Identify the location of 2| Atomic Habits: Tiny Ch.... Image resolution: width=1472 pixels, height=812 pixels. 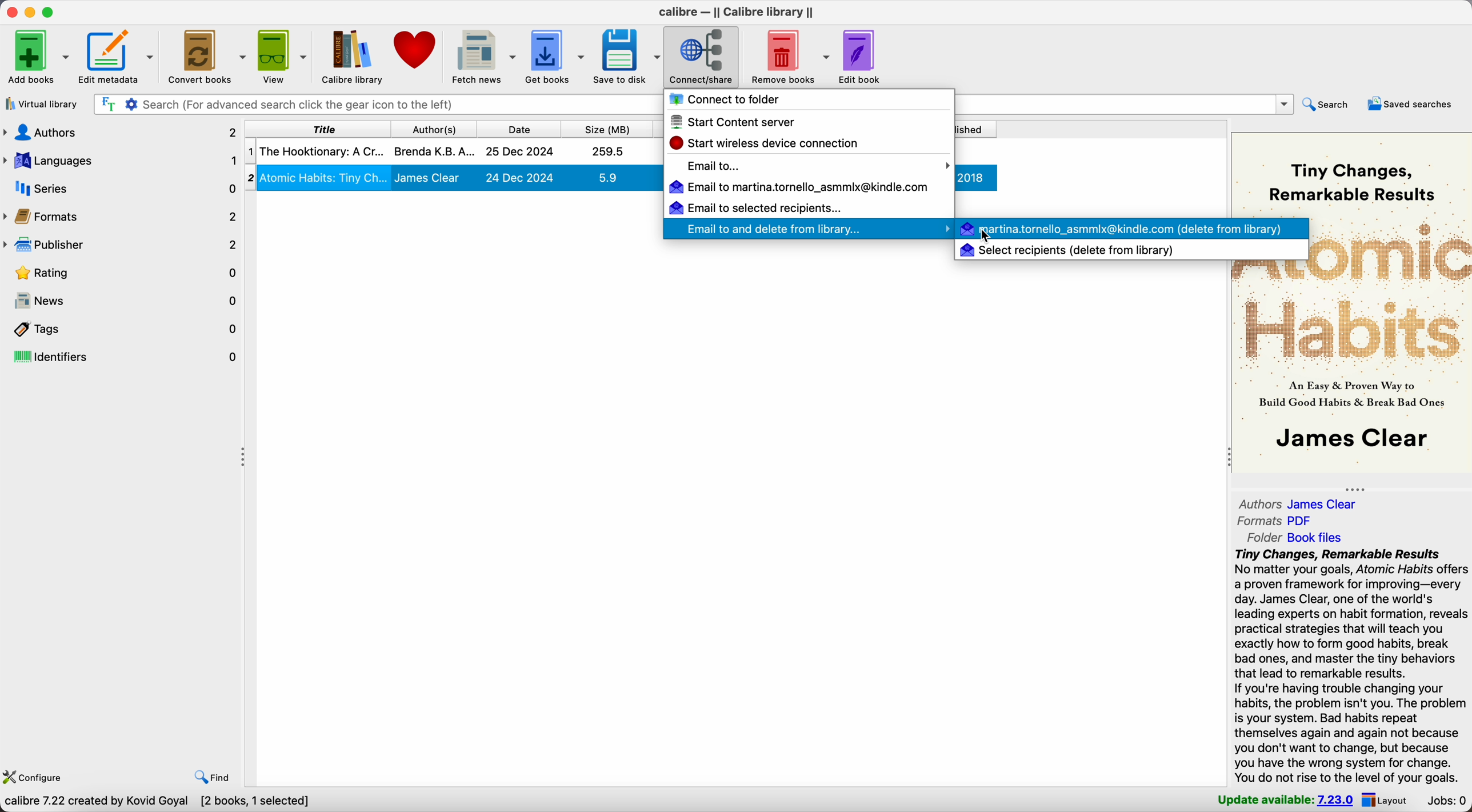
(325, 177).